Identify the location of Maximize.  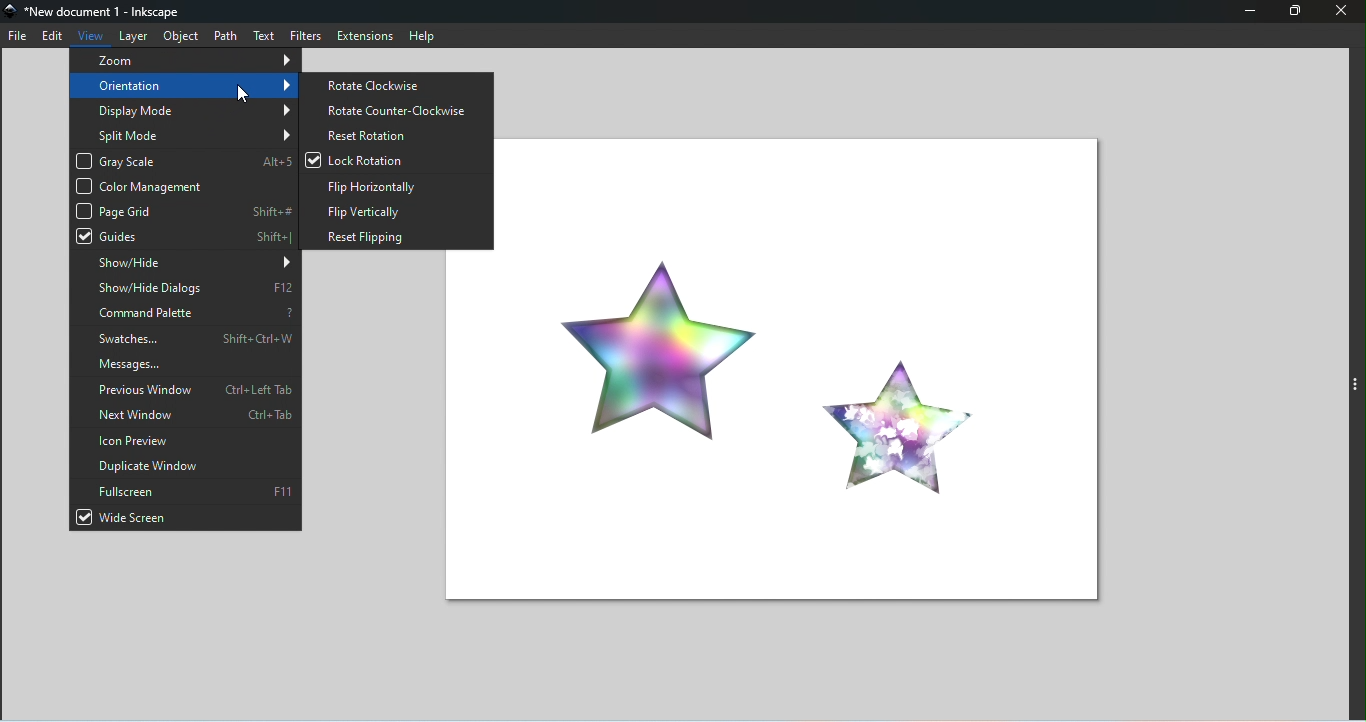
(1300, 13).